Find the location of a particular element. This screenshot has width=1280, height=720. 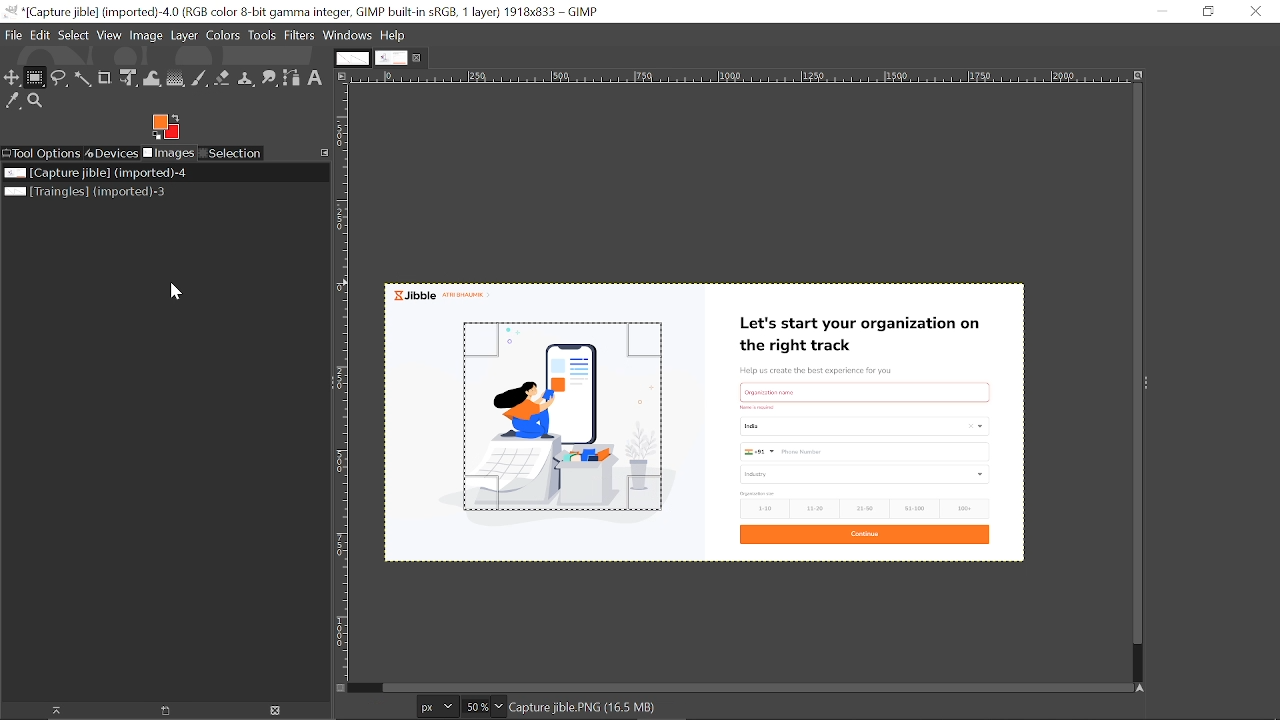

Current window is located at coordinates (303, 11).